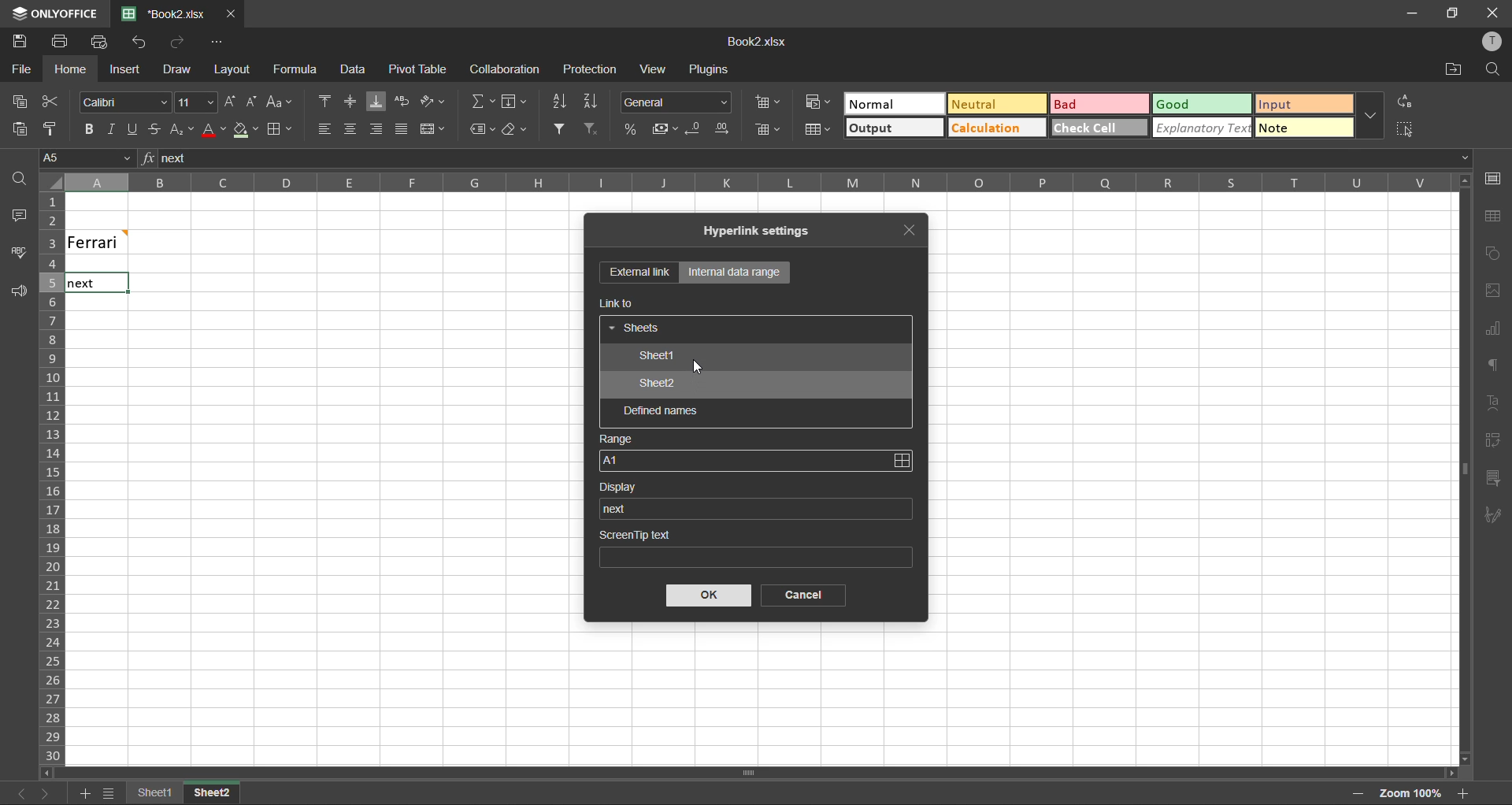 The height and width of the screenshot is (805, 1512). I want to click on copy, so click(18, 102).